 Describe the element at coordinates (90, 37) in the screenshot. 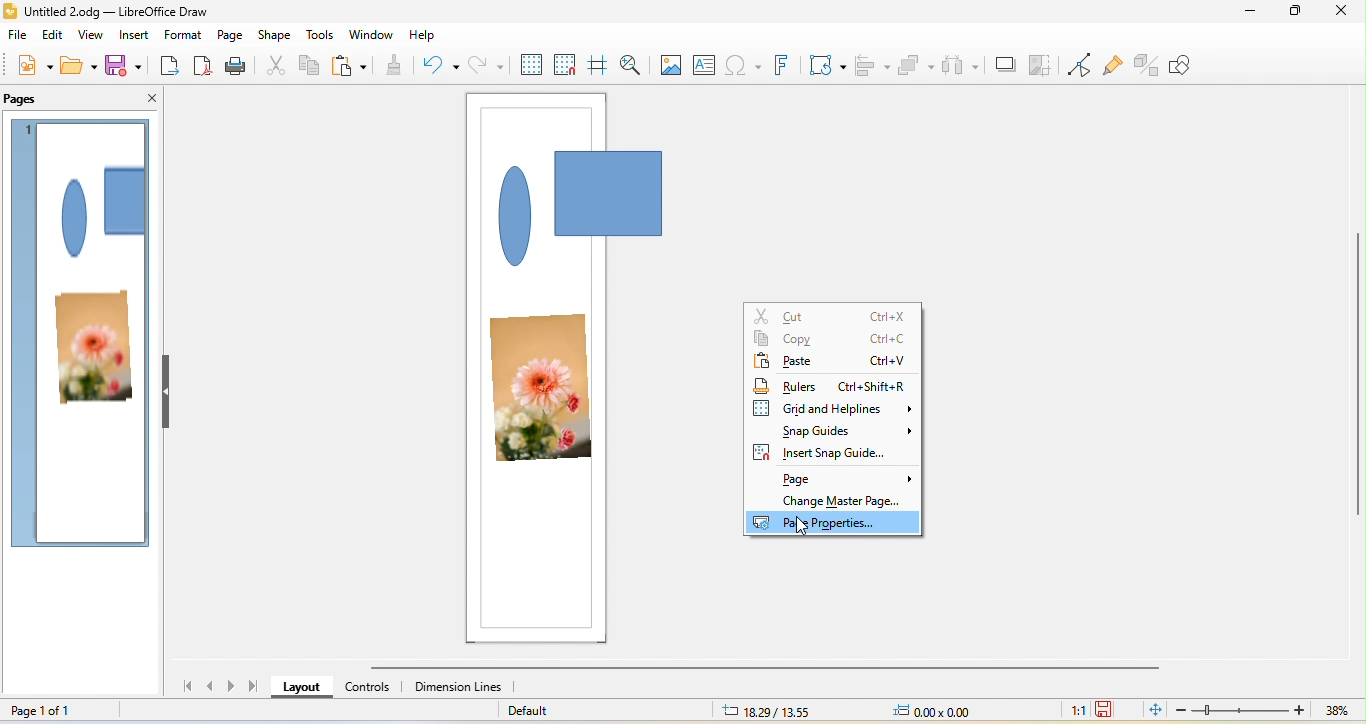

I see `view` at that location.